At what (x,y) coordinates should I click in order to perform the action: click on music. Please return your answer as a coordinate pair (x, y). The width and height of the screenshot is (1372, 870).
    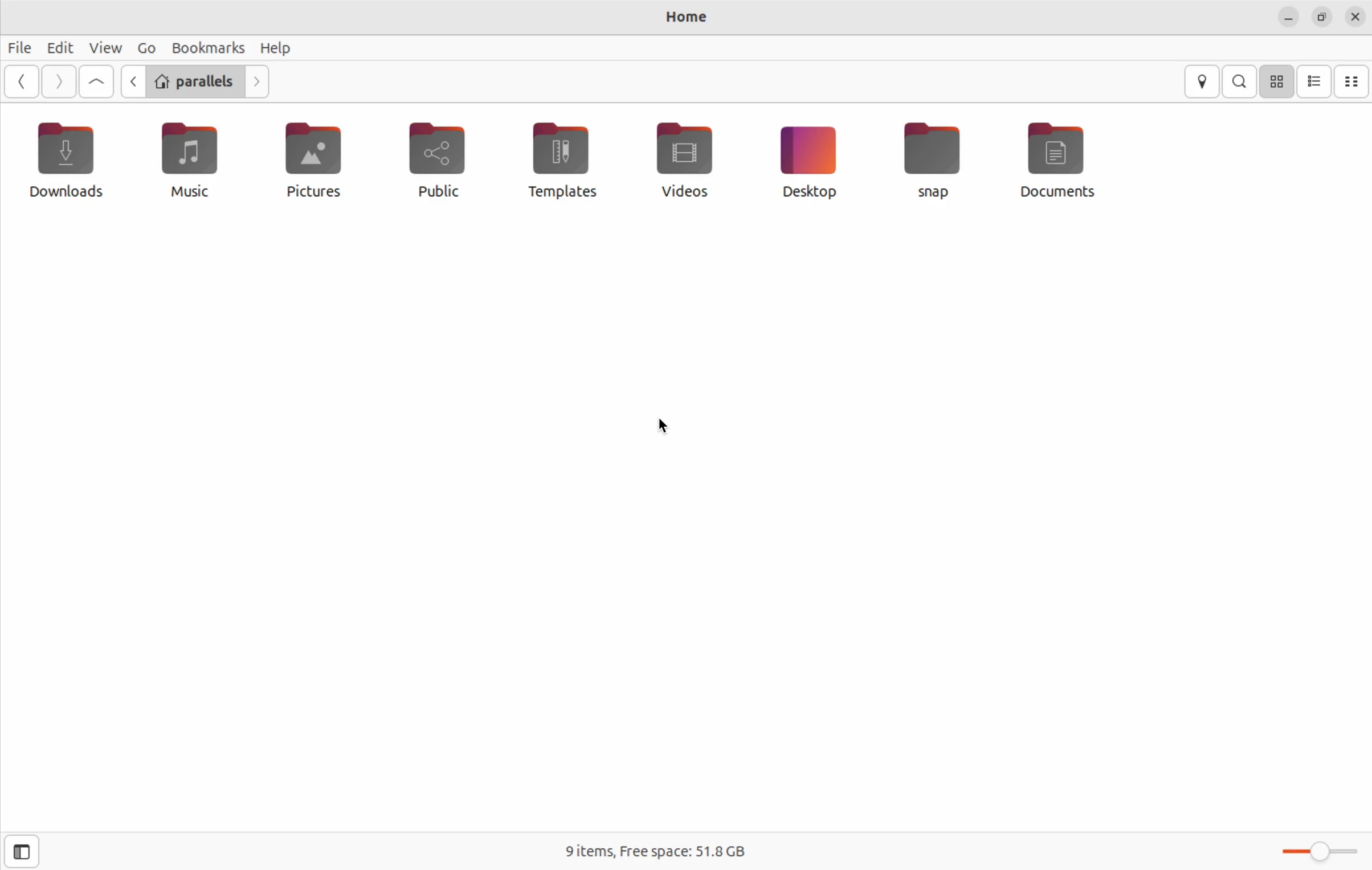
    Looking at the image, I should click on (190, 162).